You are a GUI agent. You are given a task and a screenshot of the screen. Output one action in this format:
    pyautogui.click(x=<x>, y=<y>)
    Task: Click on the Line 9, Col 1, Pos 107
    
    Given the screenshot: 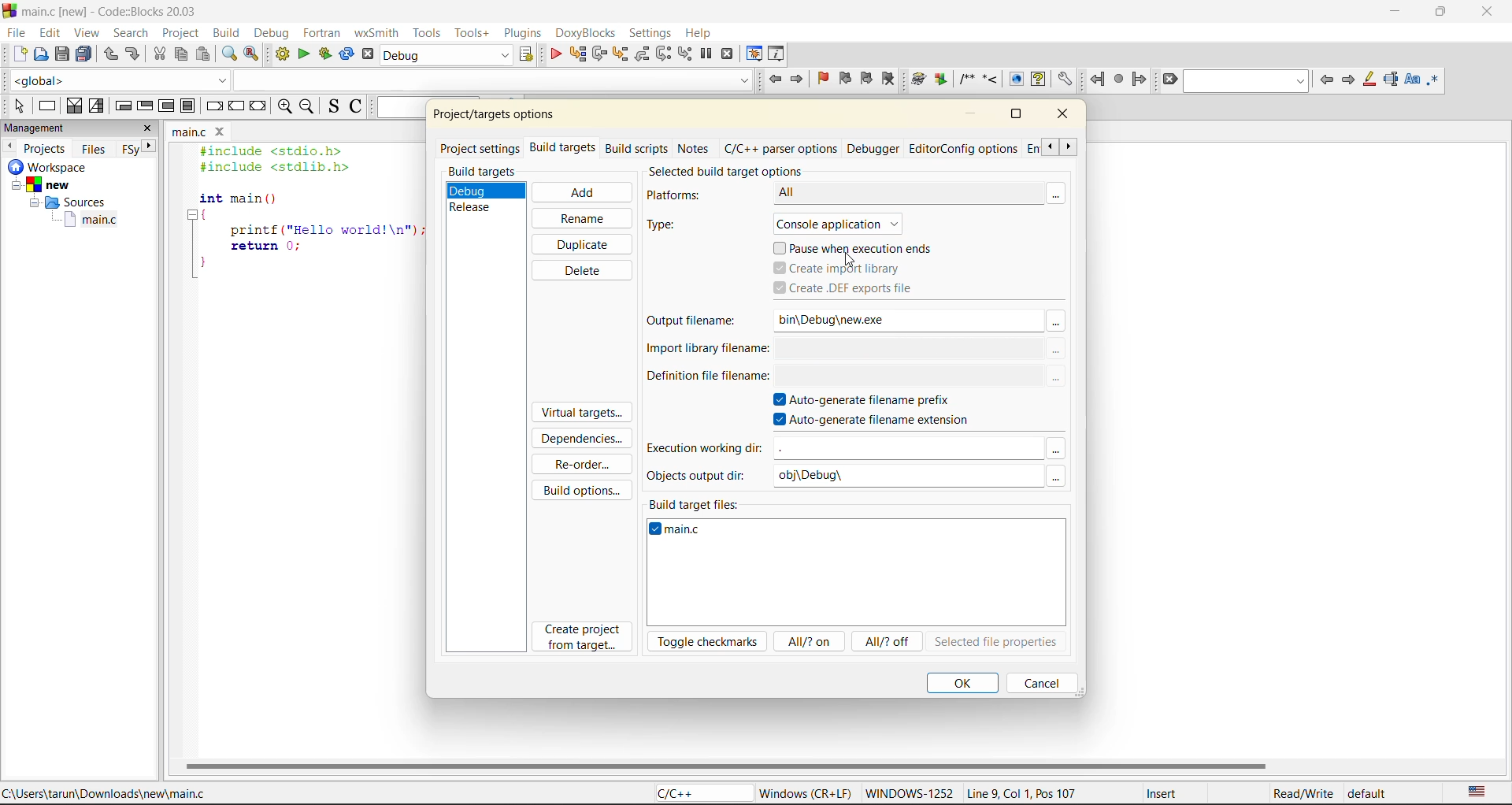 What is the action you would take?
    pyautogui.click(x=1021, y=796)
    